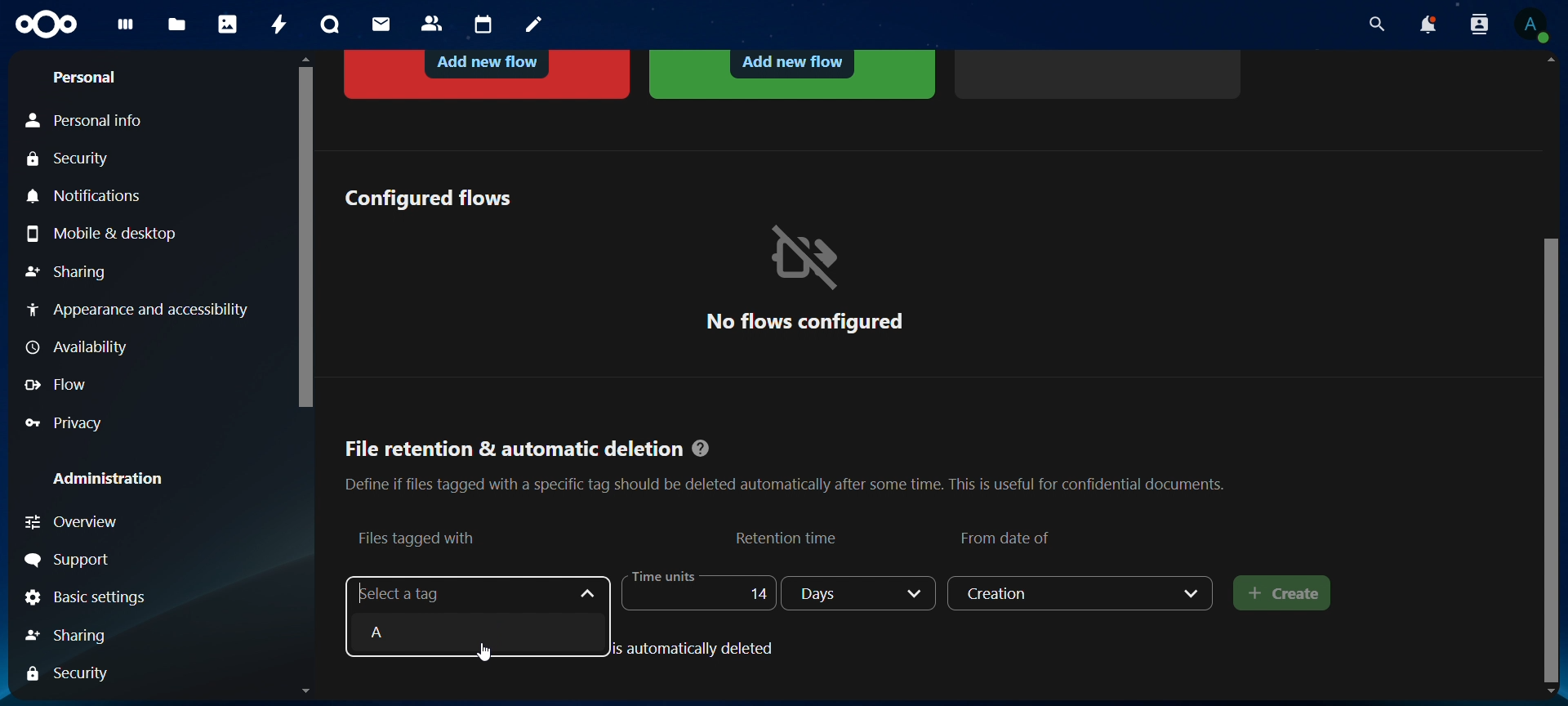  Describe the element at coordinates (127, 29) in the screenshot. I see `dashboard` at that location.